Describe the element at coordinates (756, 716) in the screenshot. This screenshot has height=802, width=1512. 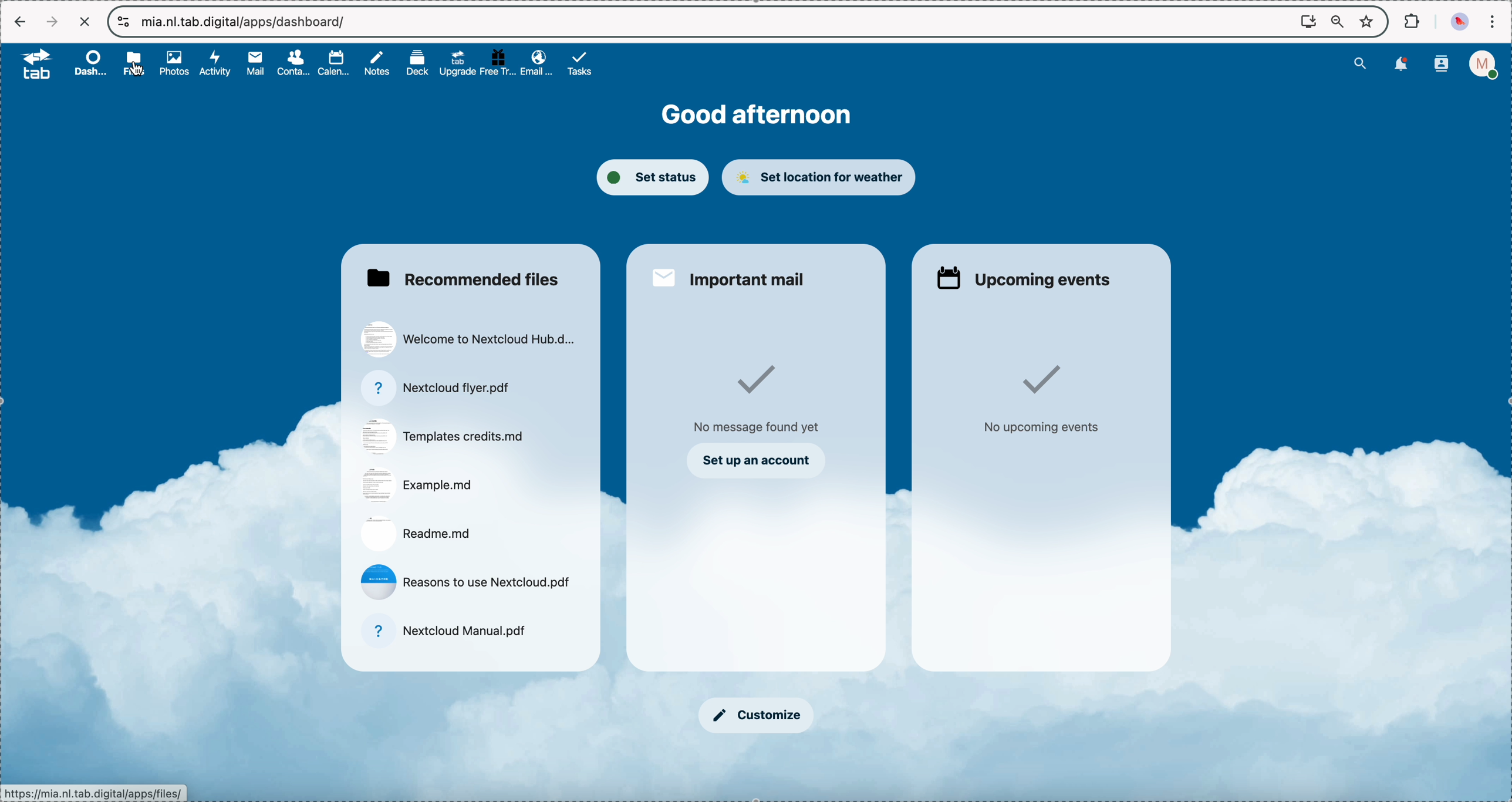
I see `customize button` at that location.